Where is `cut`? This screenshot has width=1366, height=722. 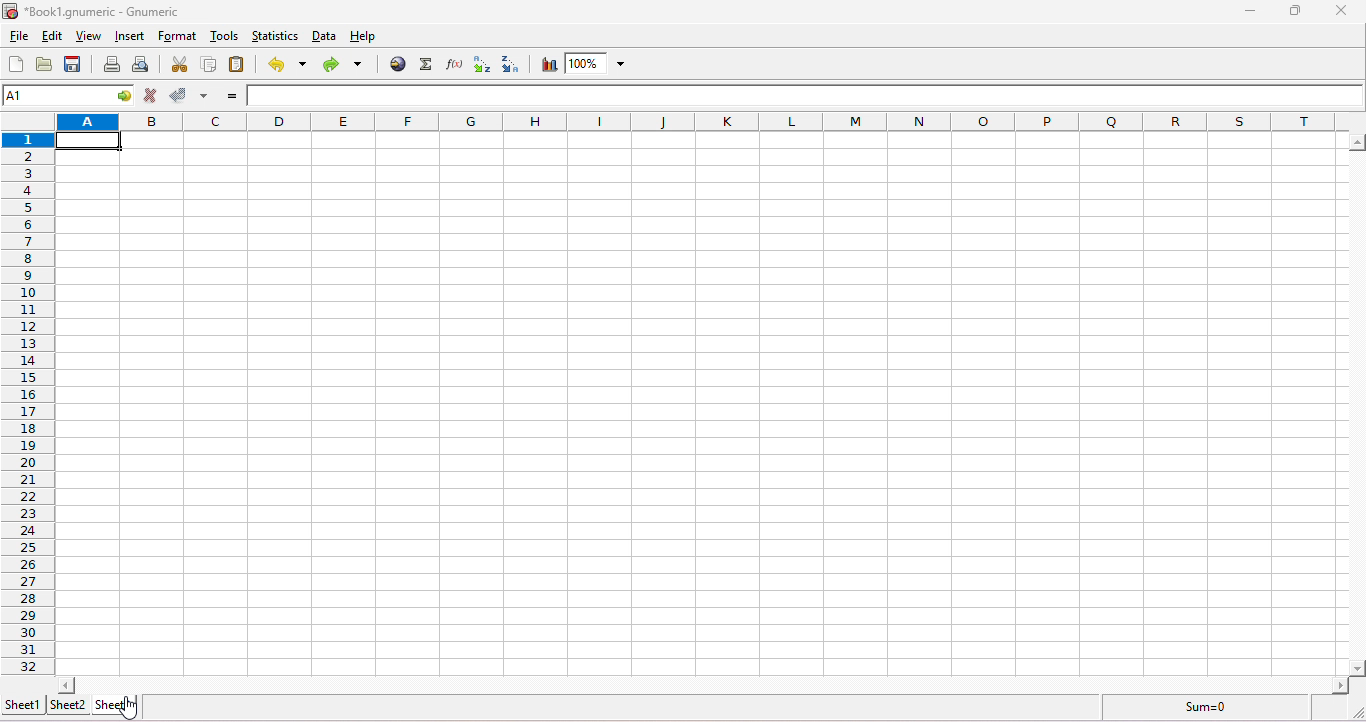
cut is located at coordinates (178, 65).